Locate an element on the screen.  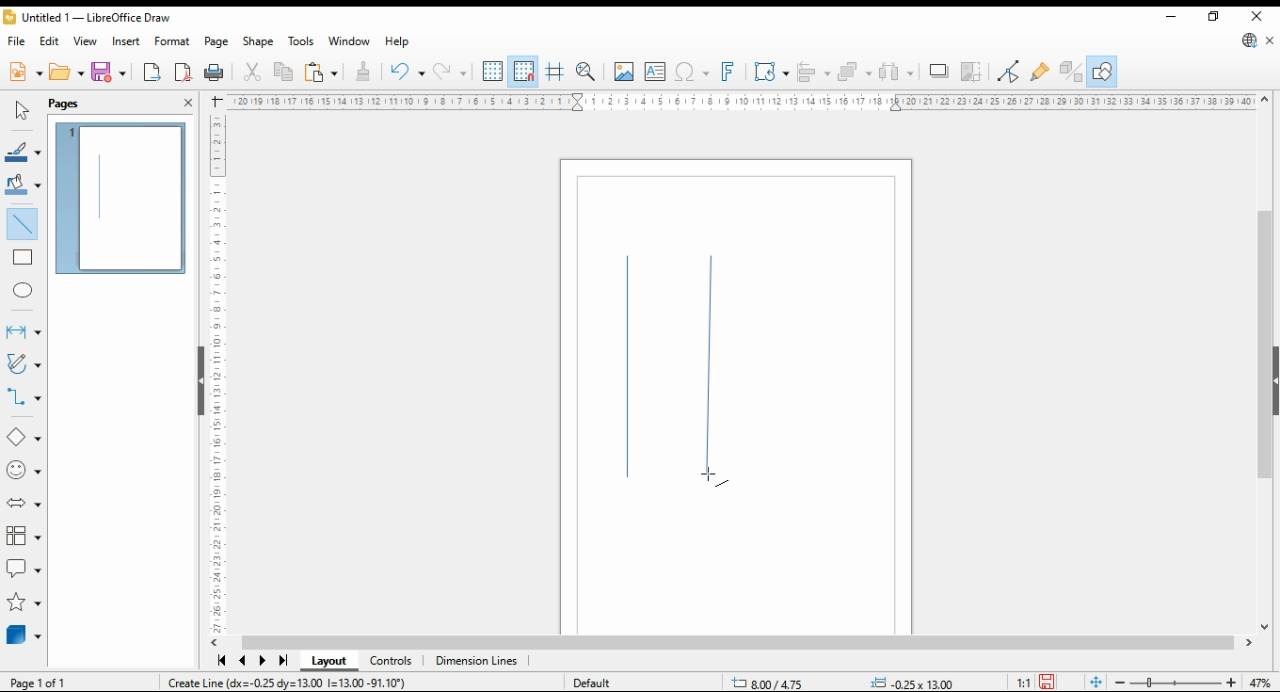
1:1 is located at coordinates (1023, 682).